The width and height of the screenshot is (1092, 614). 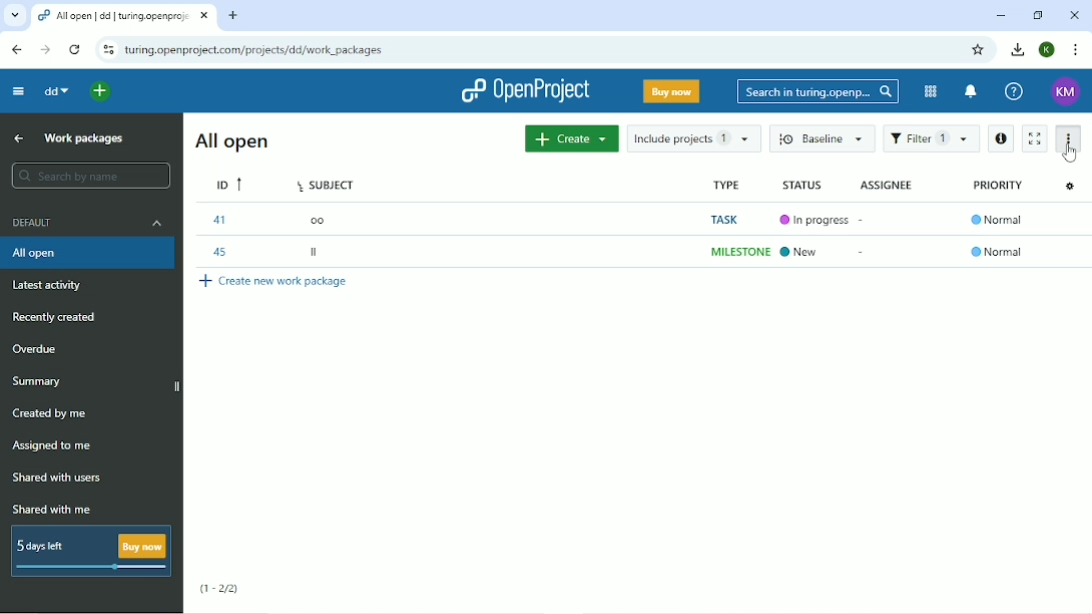 What do you see at coordinates (108, 49) in the screenshot?
I see `View site information` at bounding box center [108, 49].